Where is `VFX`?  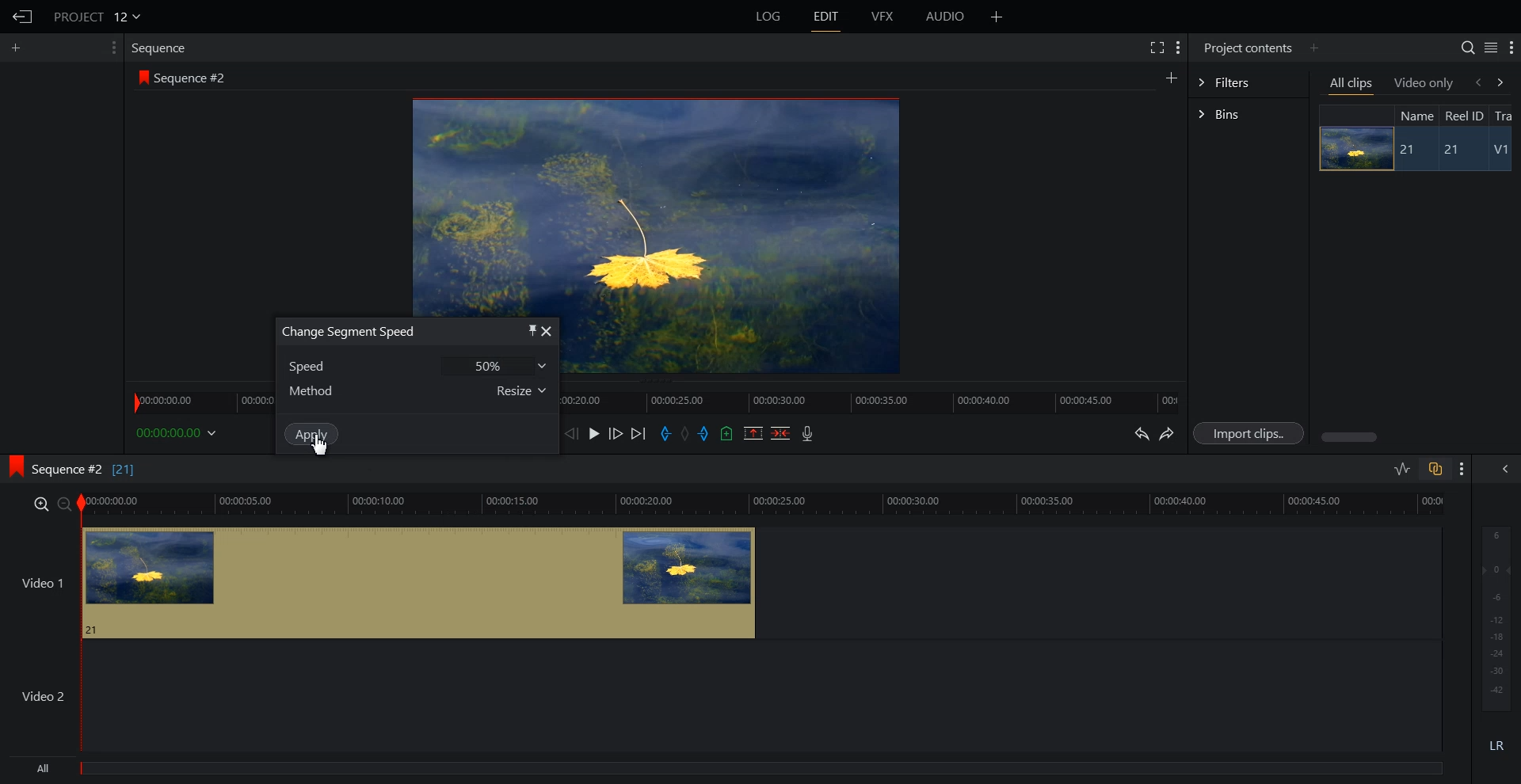
VFX is located at coordinates (883, 17).